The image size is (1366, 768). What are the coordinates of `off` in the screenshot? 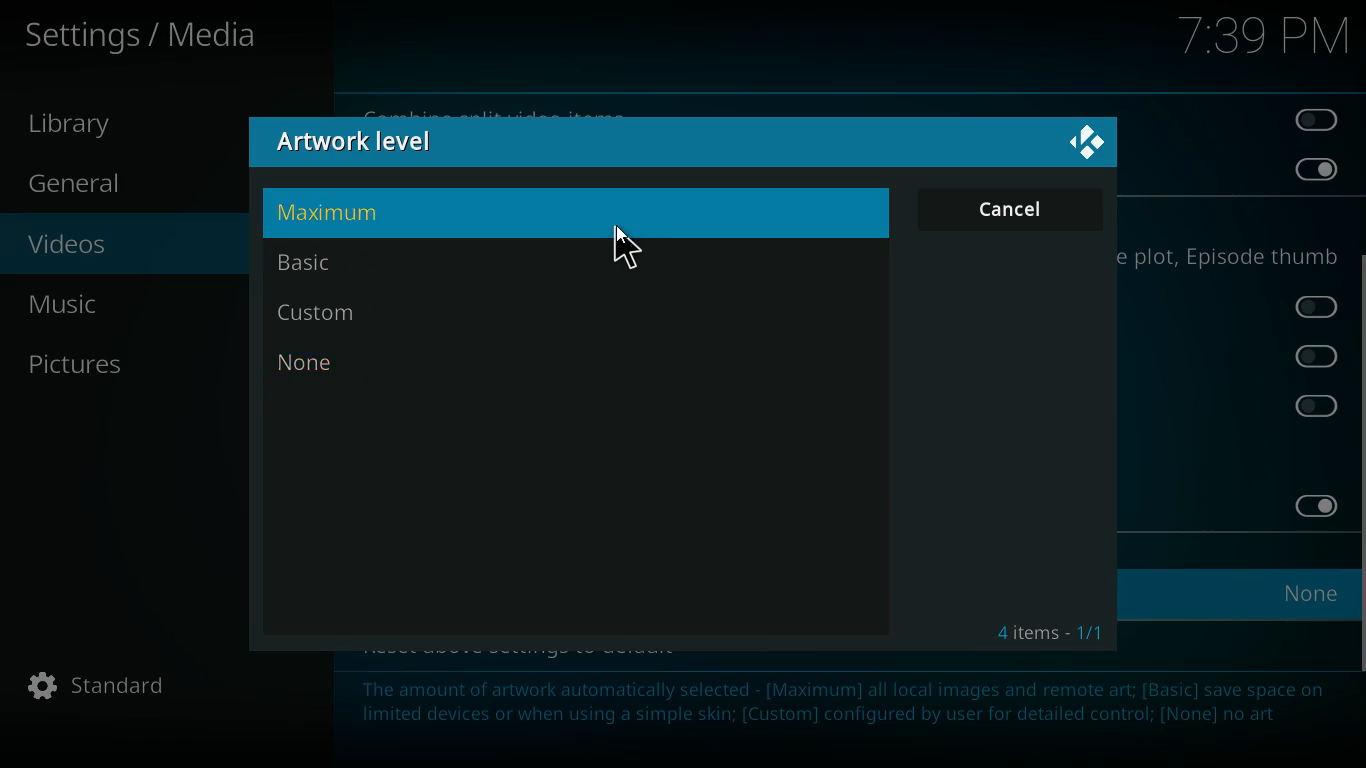 It's located at (1317, 406).